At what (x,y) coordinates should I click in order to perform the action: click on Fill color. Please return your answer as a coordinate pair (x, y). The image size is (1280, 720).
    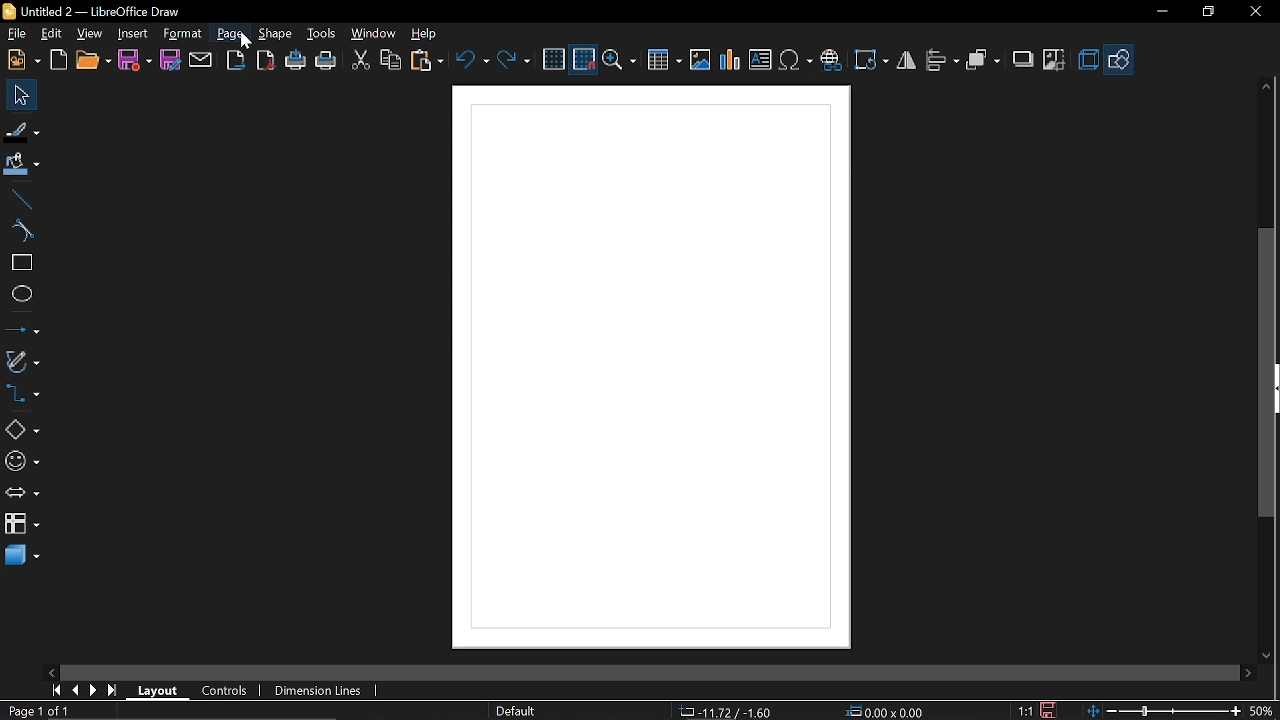
    Looking at the image, I should click on (21, 166).